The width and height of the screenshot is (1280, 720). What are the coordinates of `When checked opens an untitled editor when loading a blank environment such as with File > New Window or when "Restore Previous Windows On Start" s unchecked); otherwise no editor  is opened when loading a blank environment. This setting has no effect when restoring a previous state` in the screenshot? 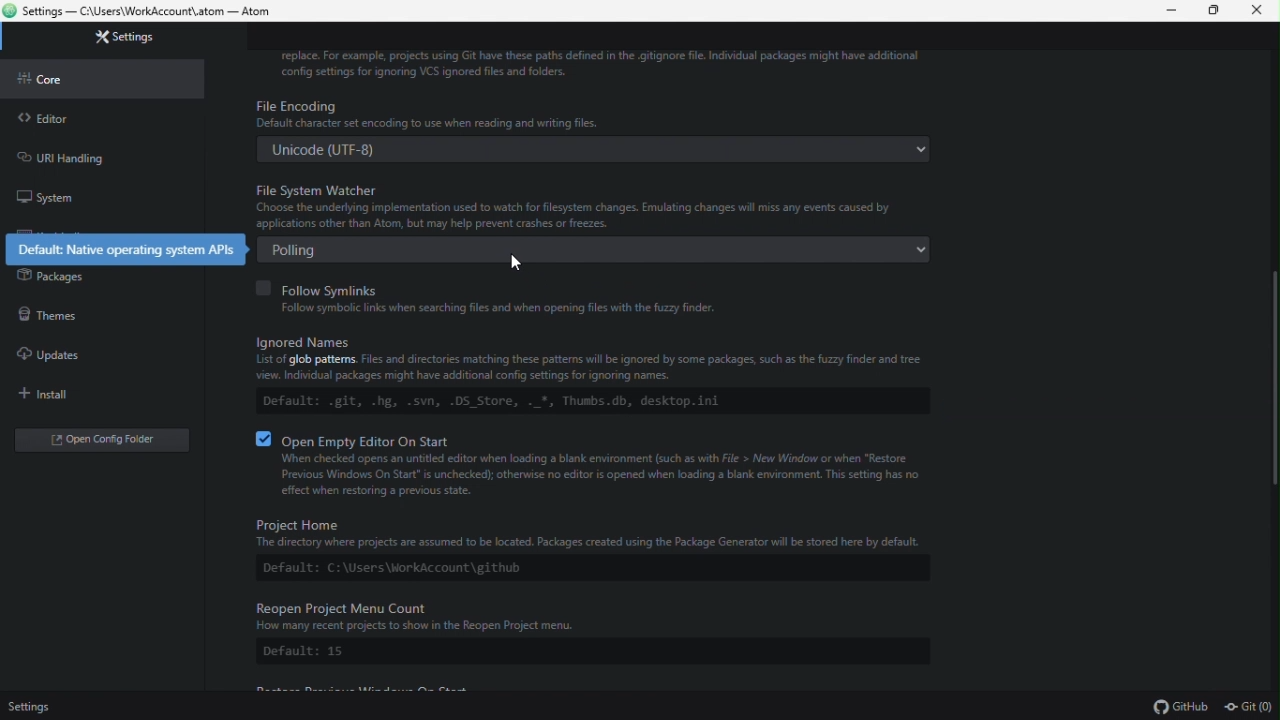 It's located at (597, 475).